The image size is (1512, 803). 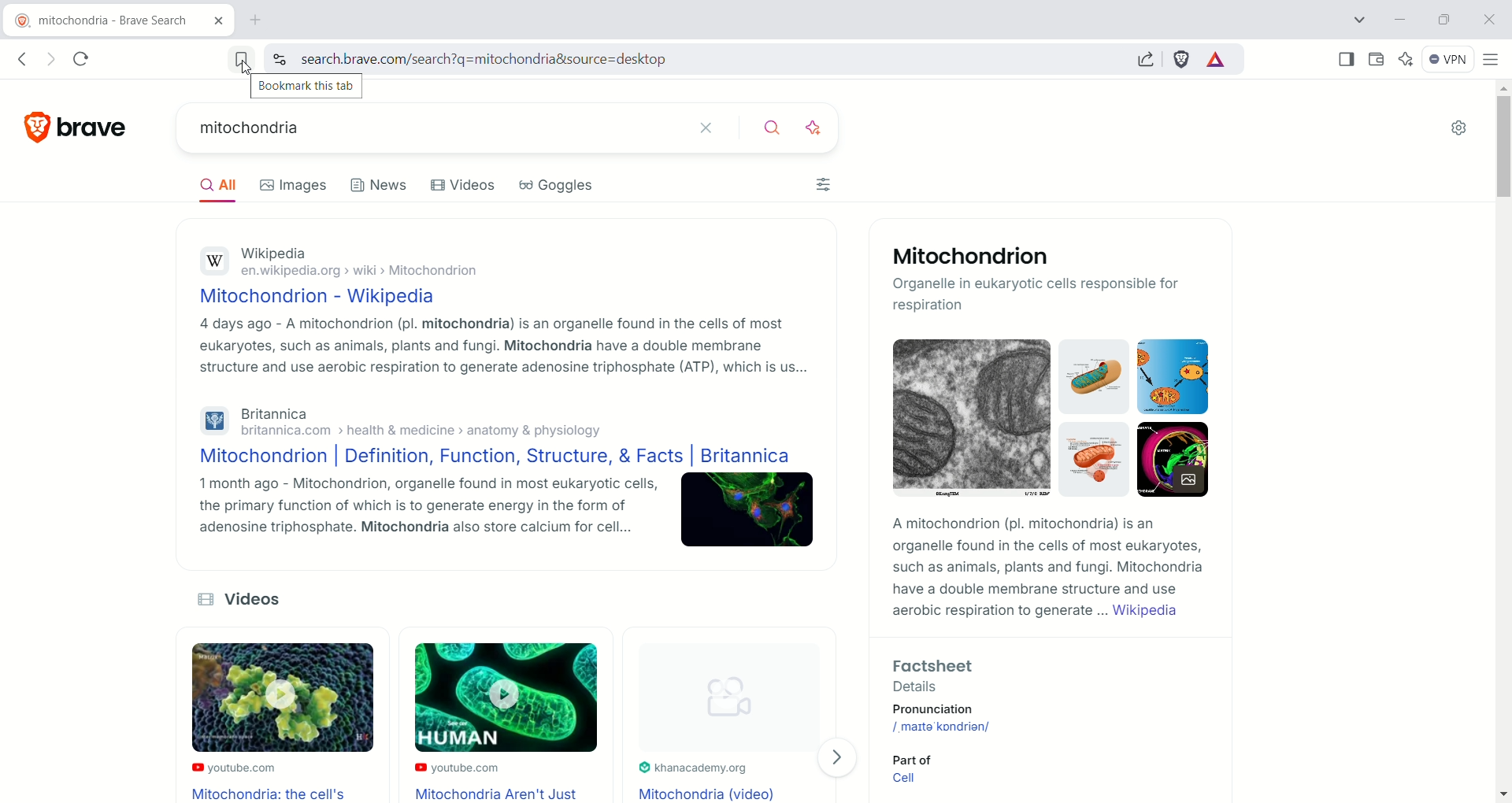 What do you see at coordinates (420, 127) in the screenshot?
I see `current search - mitochondria` at bounding box center [420, 127].